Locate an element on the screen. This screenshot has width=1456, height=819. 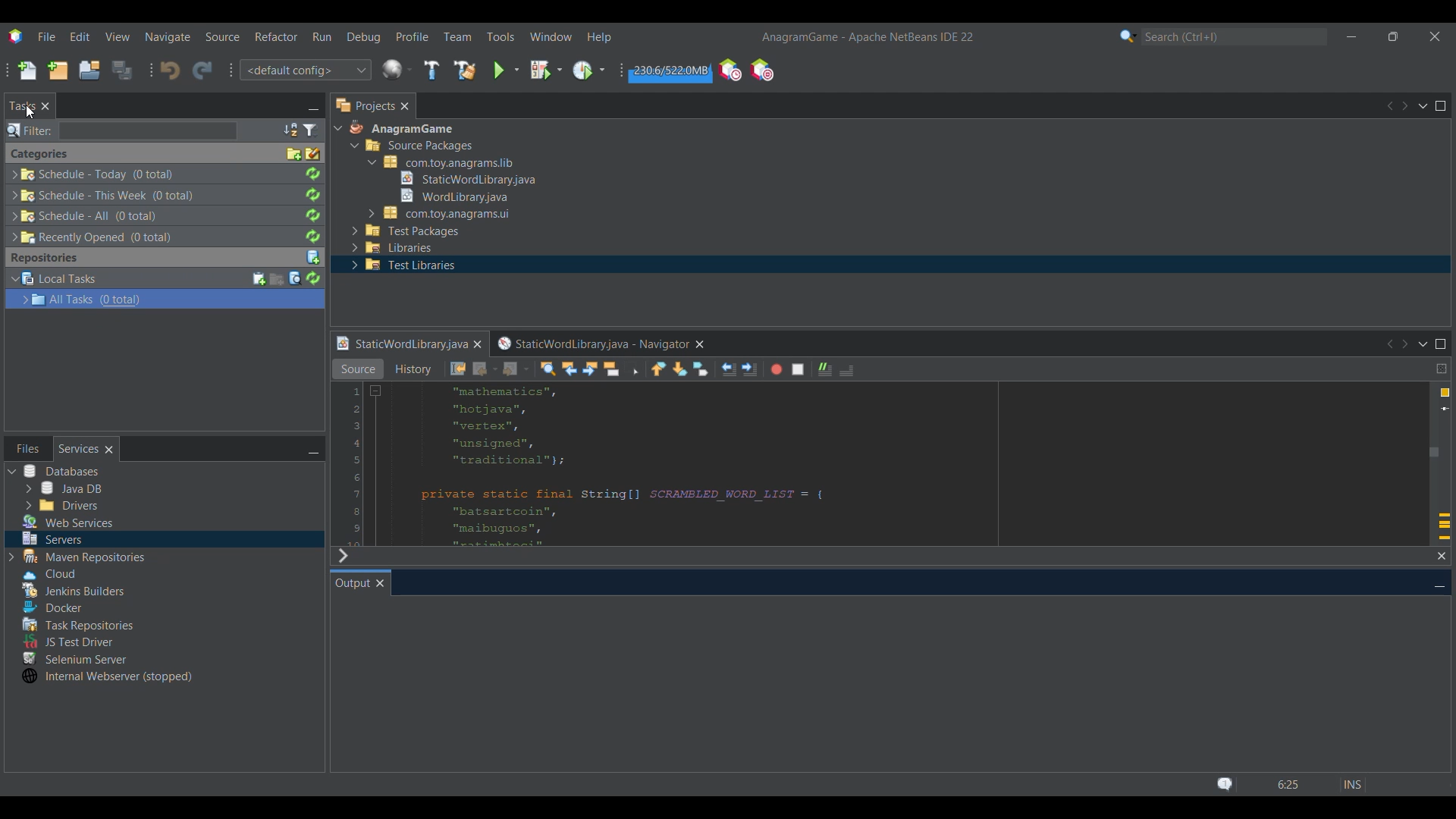
Build main project is located at coordinates (431, 70).